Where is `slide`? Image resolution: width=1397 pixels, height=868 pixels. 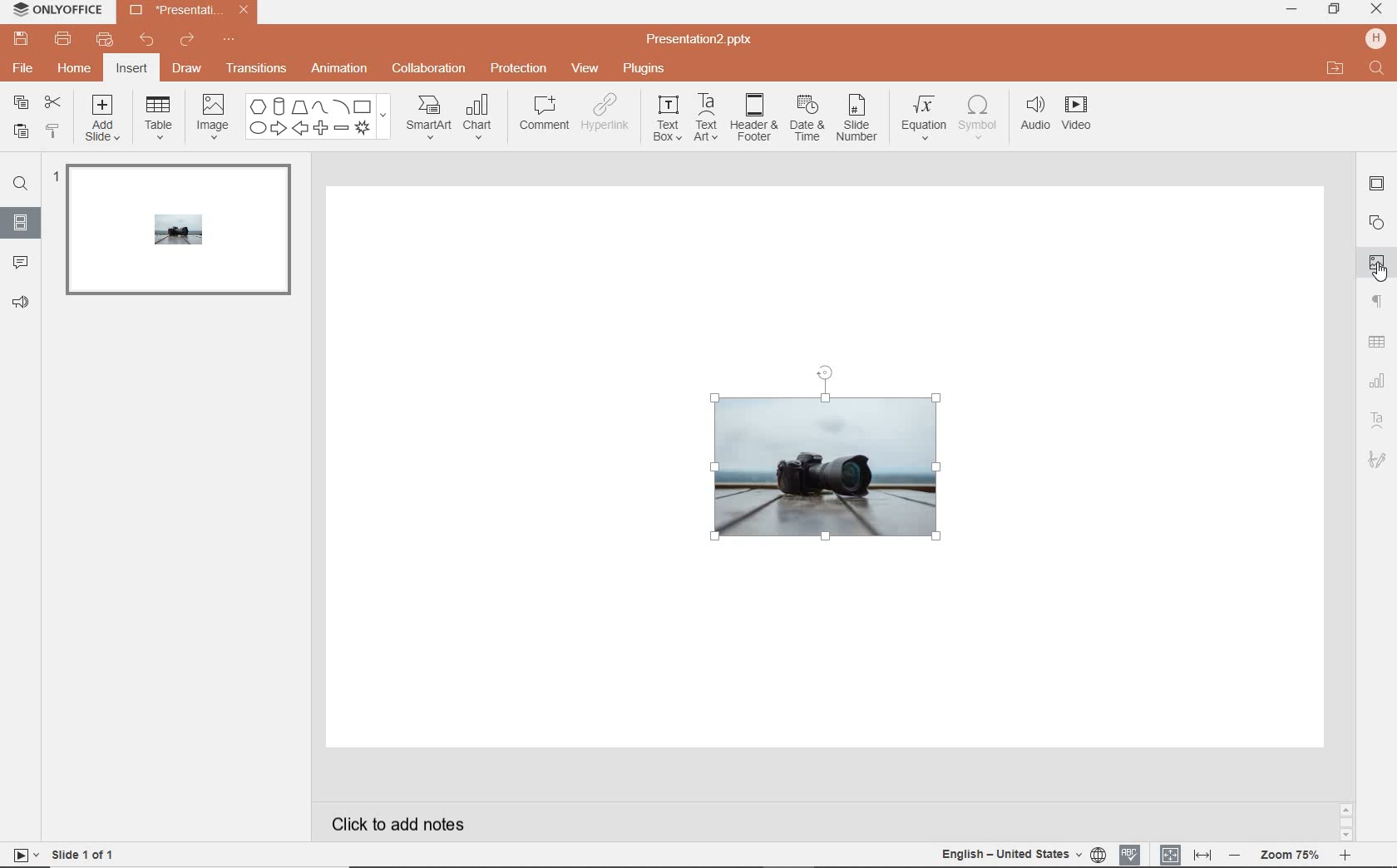
slide is located at coordinates (175, 236).